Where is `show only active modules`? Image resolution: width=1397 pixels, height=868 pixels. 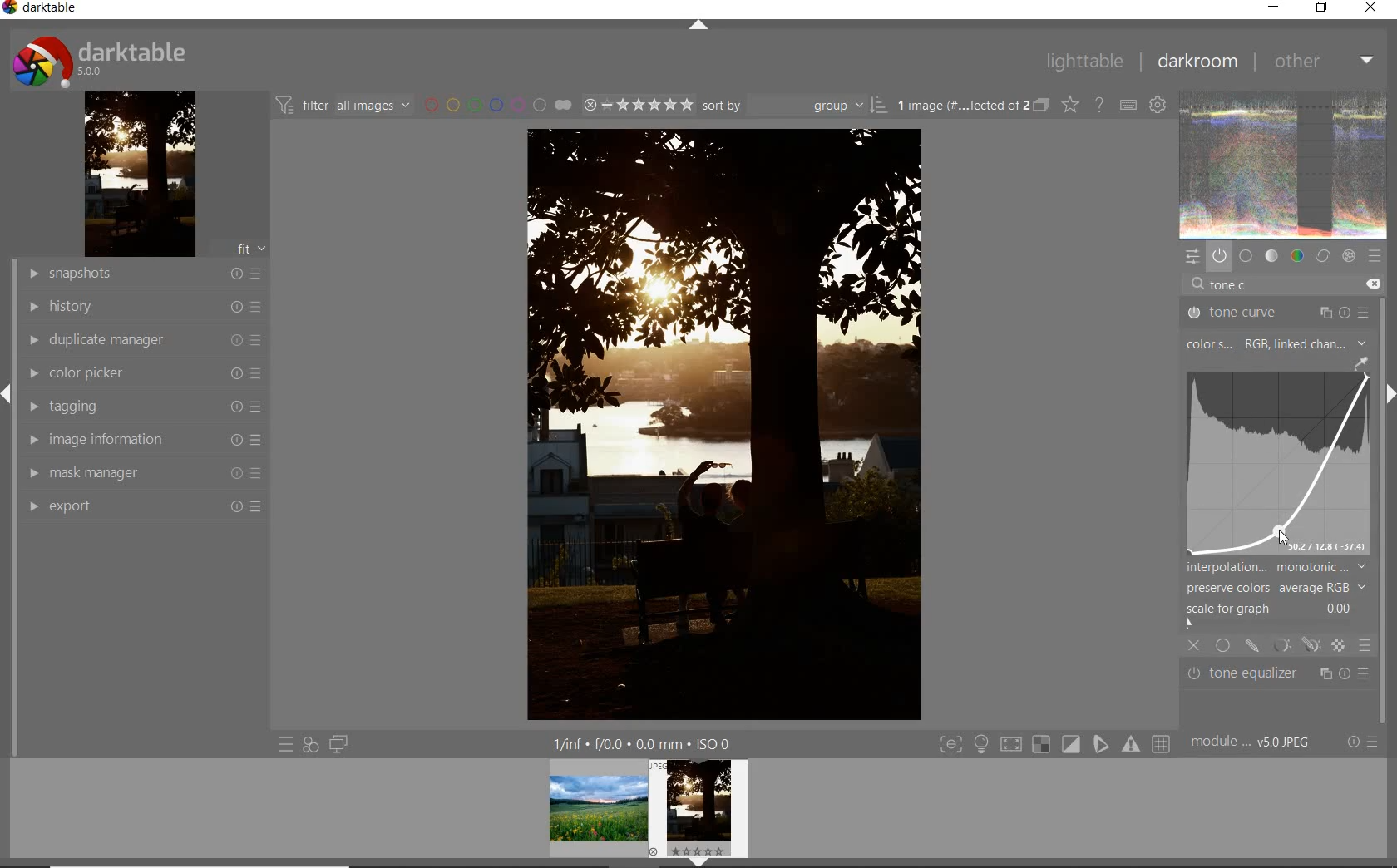
show only active modules is located at coordinates (1220, 255).